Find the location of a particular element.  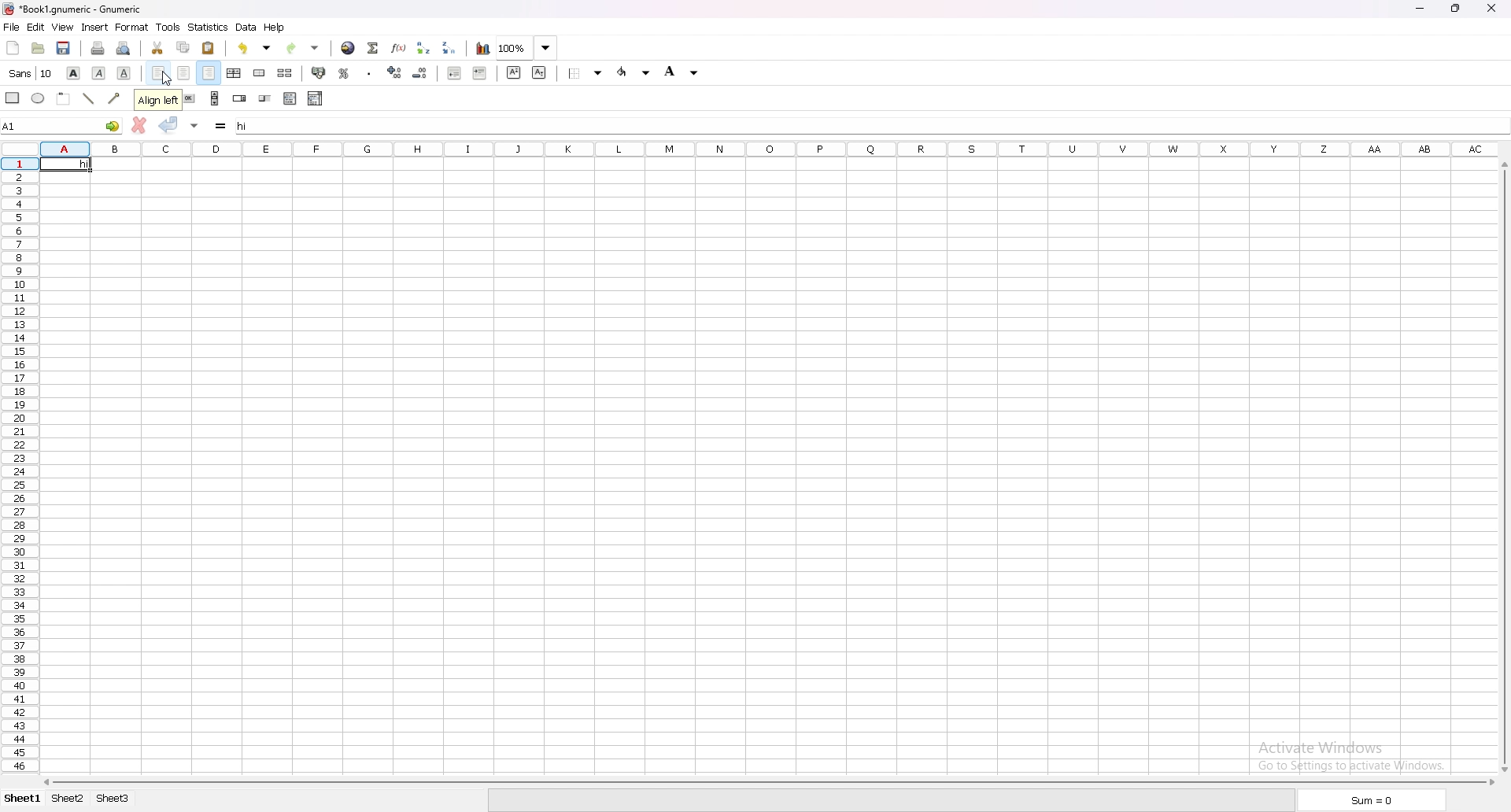

italic is located at coordinates (99, 72).